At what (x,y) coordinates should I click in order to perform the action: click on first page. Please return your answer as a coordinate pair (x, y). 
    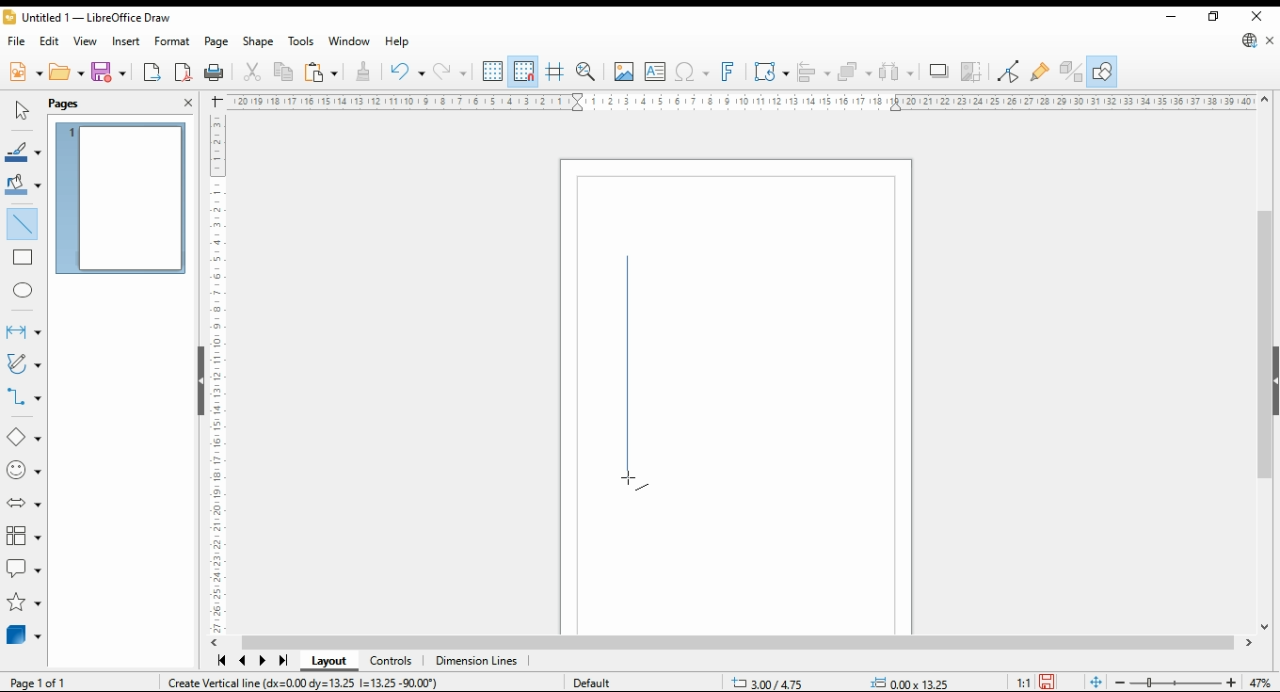
    Looking at the image, I should click on (221, 662).